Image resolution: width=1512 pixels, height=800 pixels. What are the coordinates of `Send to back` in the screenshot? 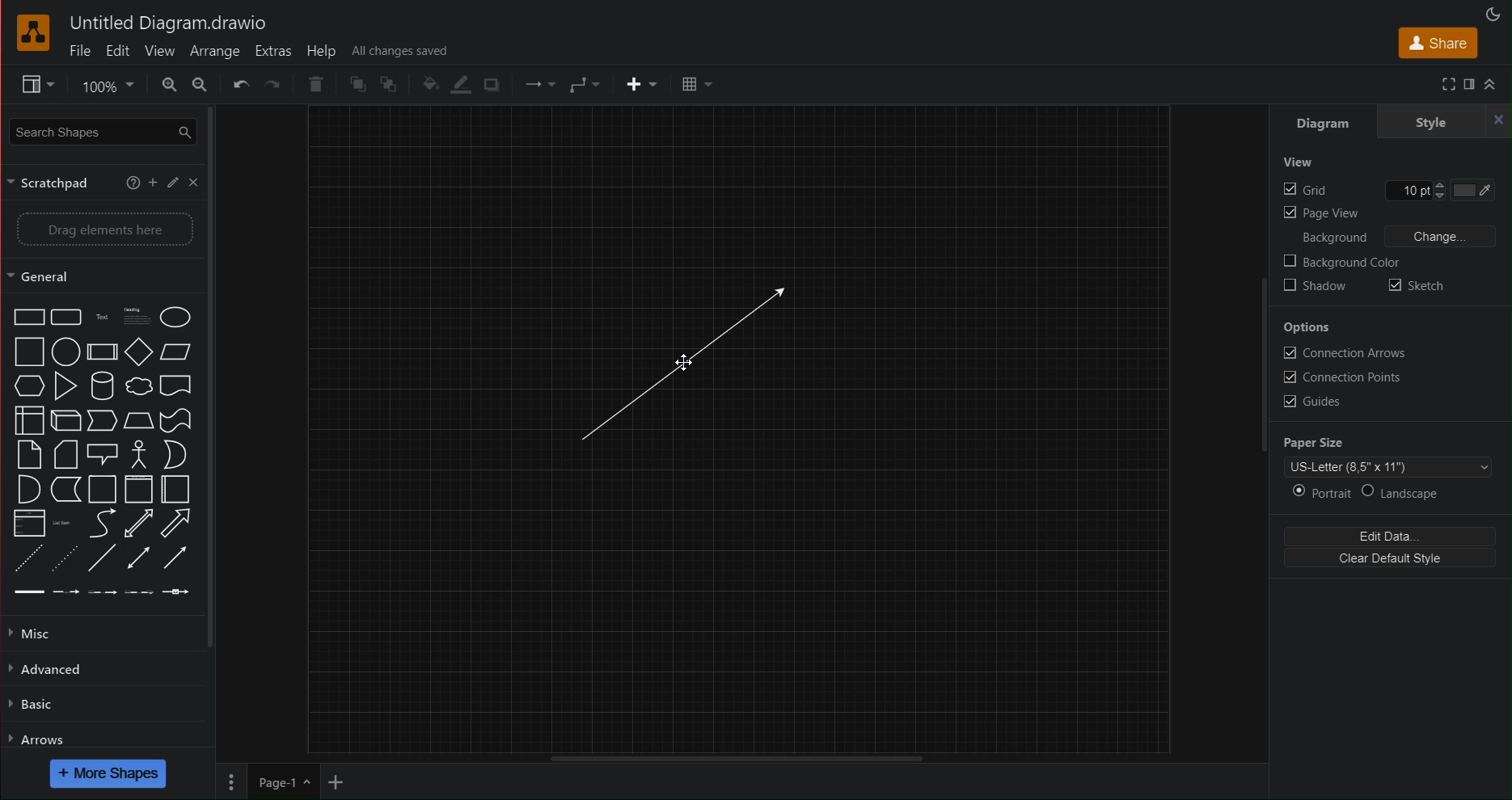 It's located at (391, 84).